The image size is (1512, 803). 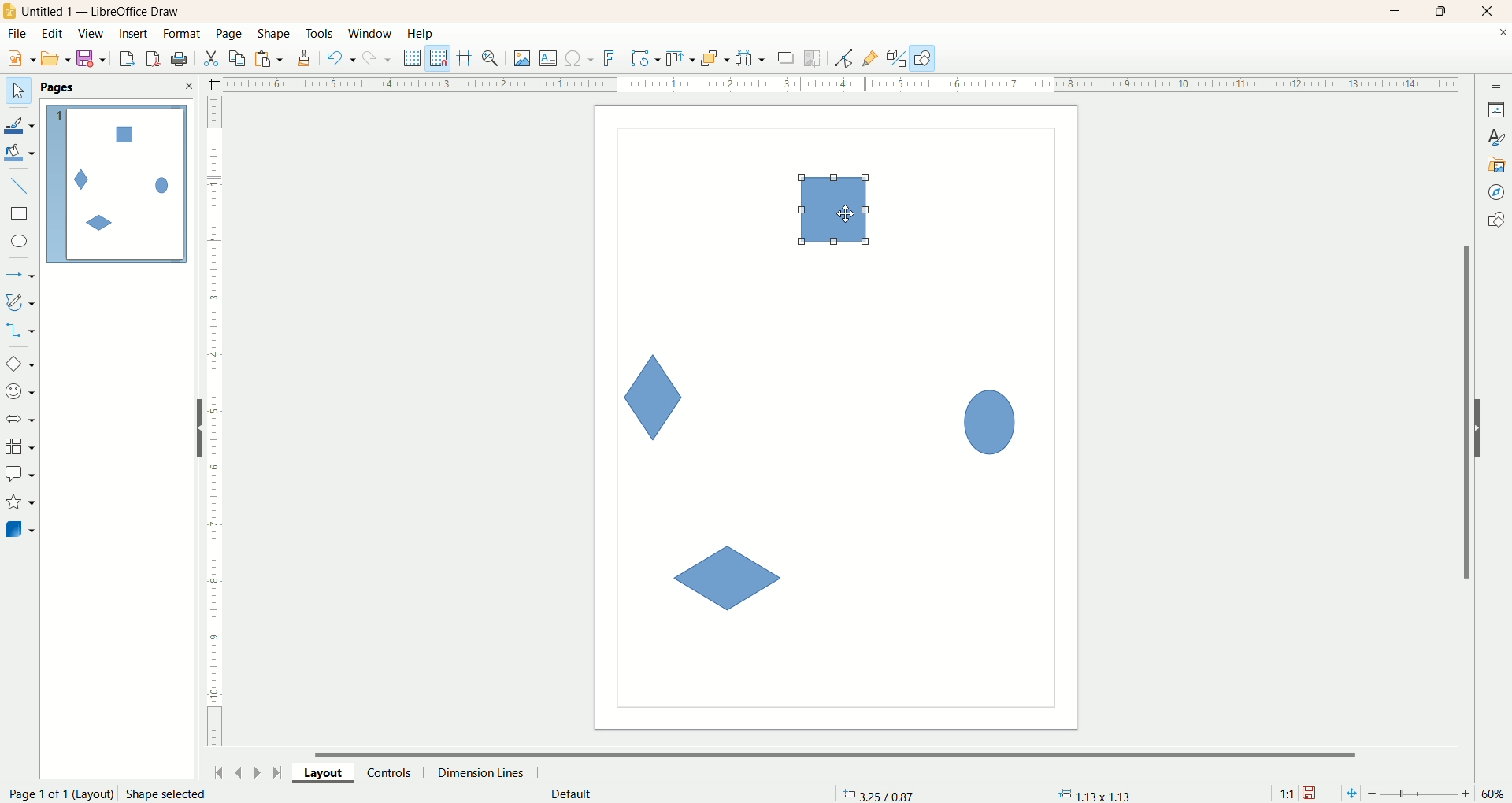 What do you see at coordinates (193, 431) in the screenshot?
I see `hide` at bounding box center [193, 431].